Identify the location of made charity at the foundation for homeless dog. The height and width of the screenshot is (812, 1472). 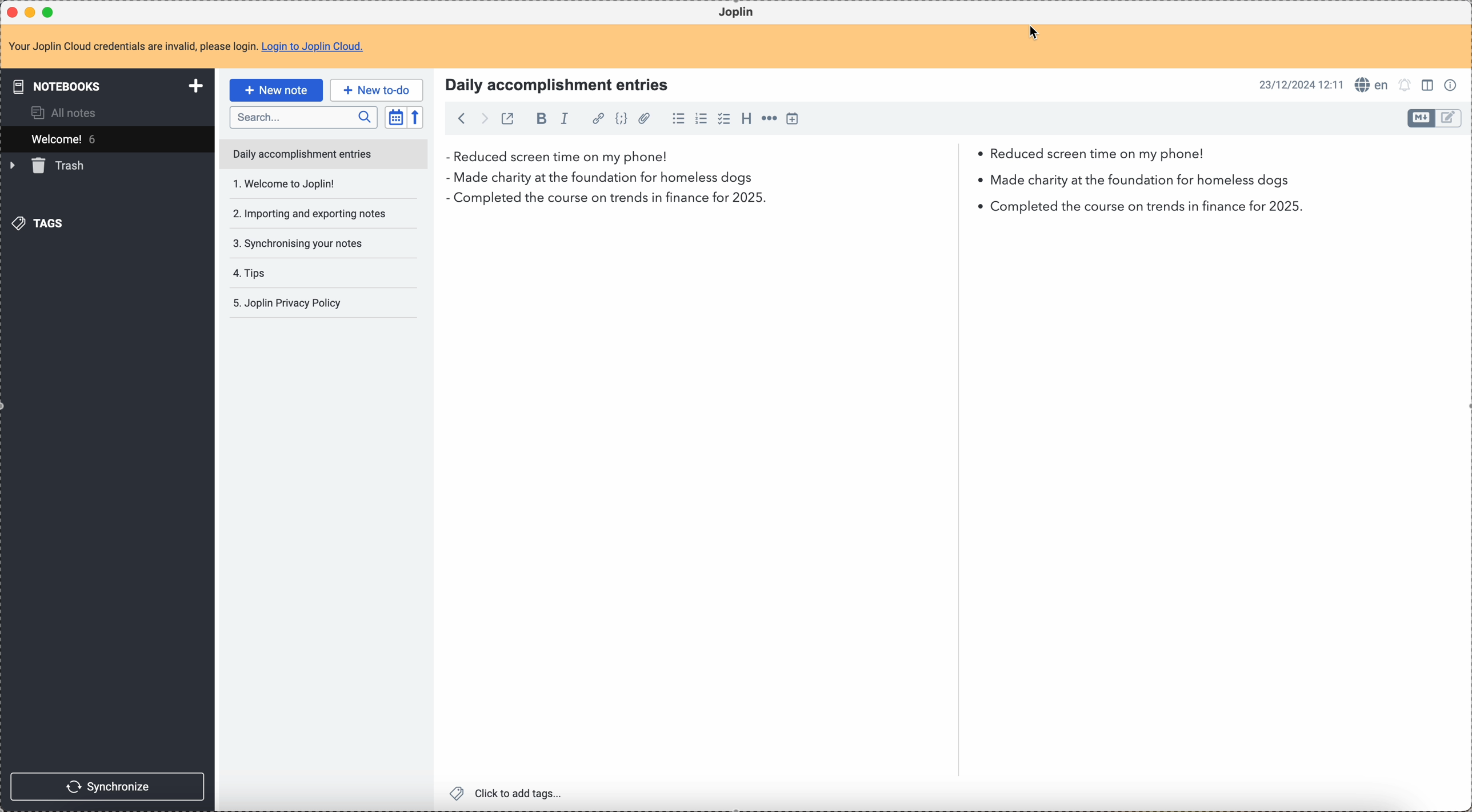
(878, 180).